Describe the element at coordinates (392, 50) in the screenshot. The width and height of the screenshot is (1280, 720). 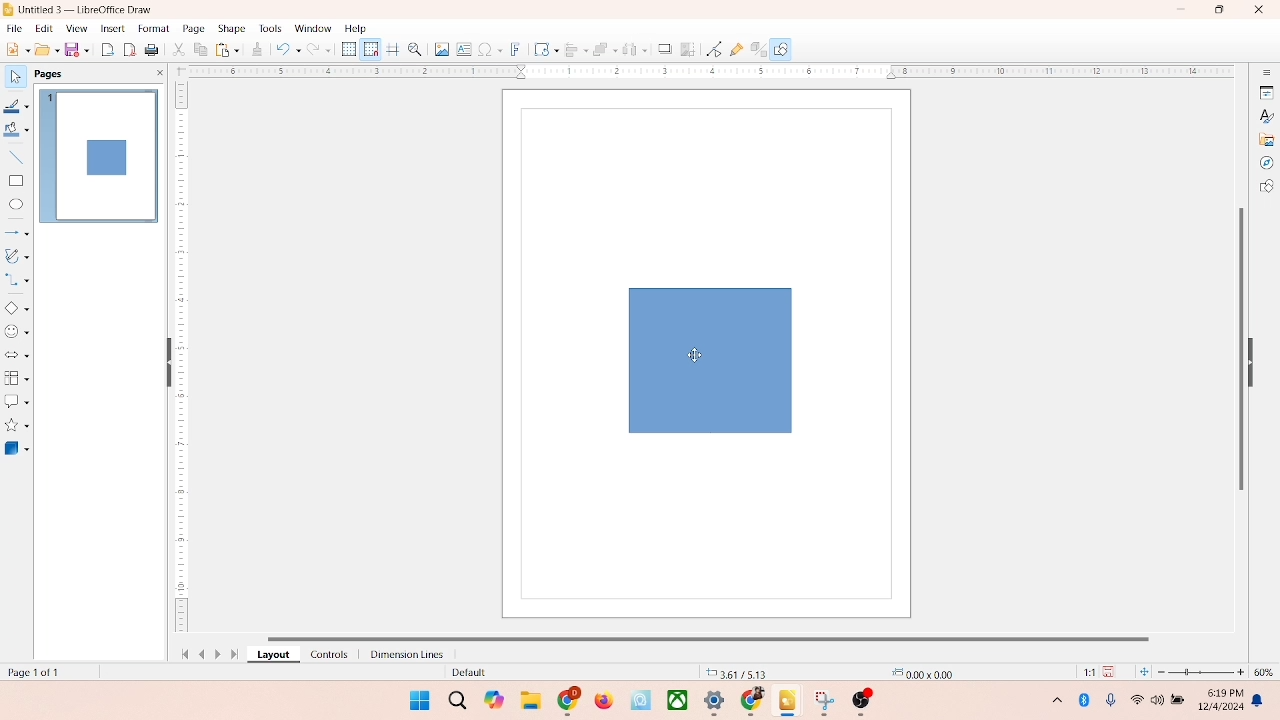
I see `helplines` at that location.